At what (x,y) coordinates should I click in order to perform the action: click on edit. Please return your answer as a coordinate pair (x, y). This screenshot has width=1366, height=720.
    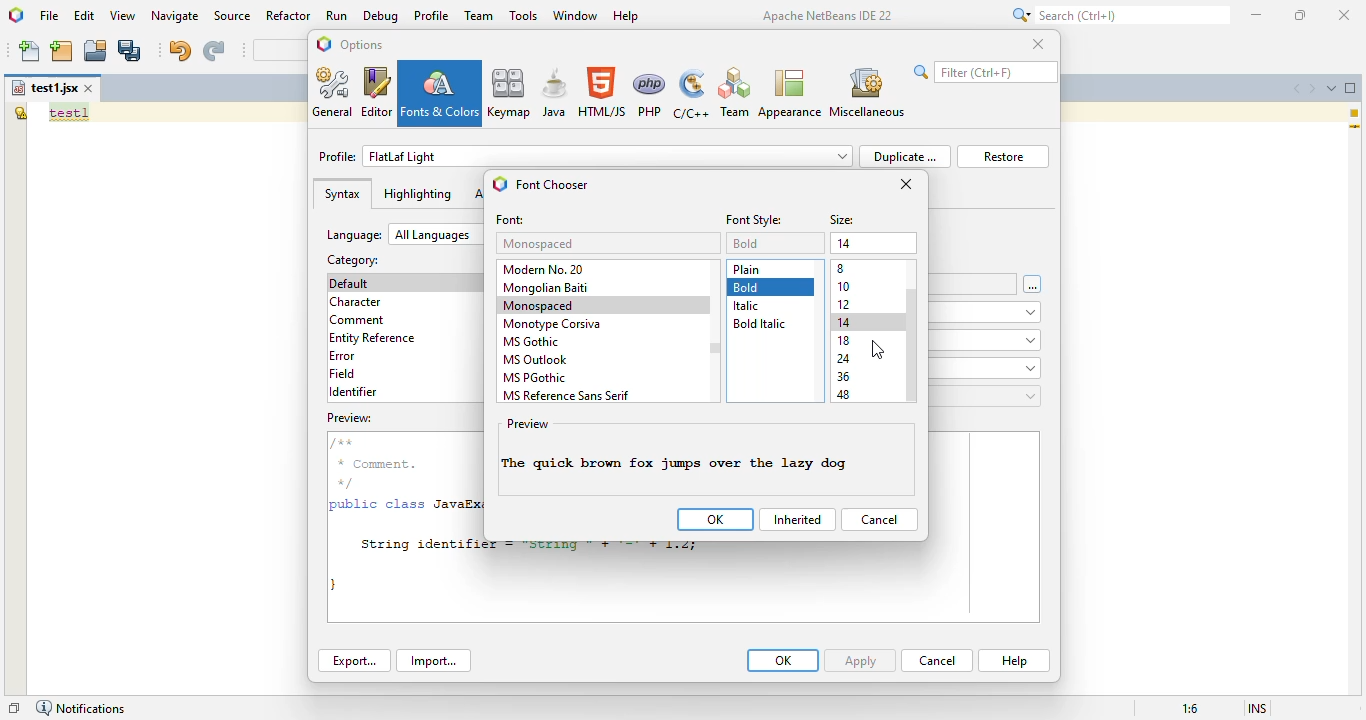
    Looking at the image, I should click on (85, 15).